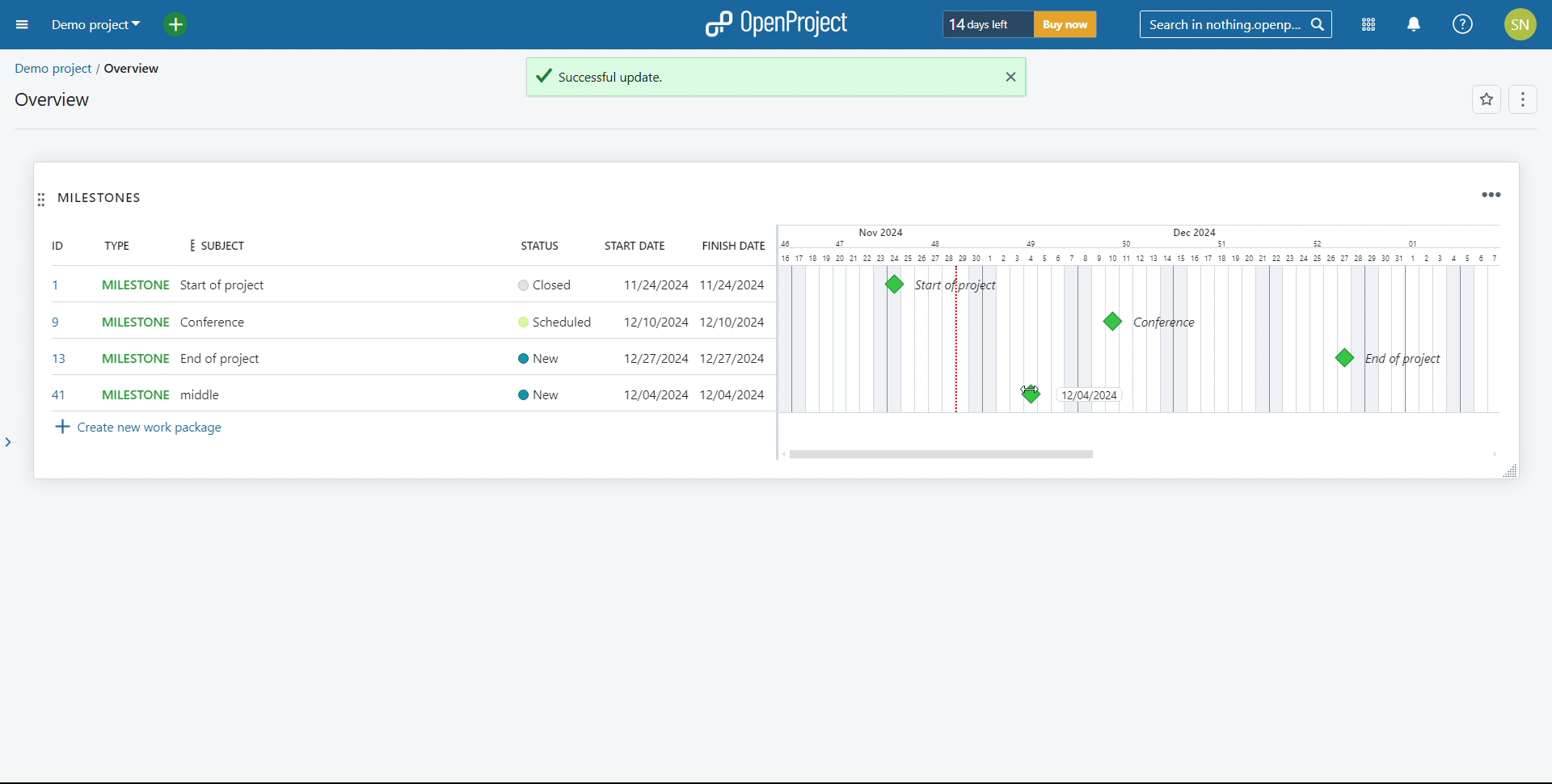 Image resolution: width=1552 pixels, height=784 pixels. Describe the element at coordinates (100, 198) in the screenshot. I see `milestones` at that location.